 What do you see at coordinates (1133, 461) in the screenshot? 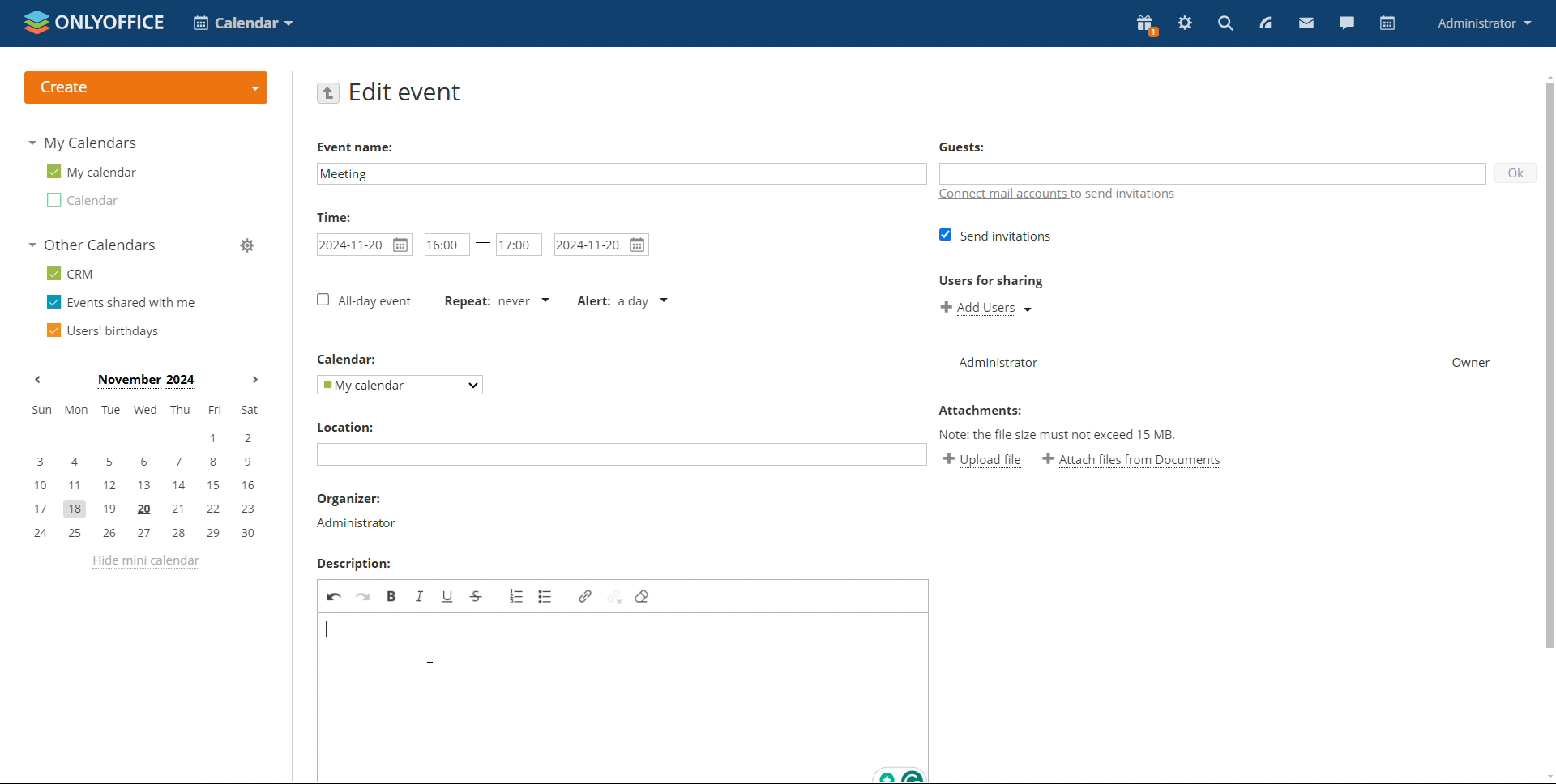
I see `attach file from documents` at bounding box center [1133, 461].